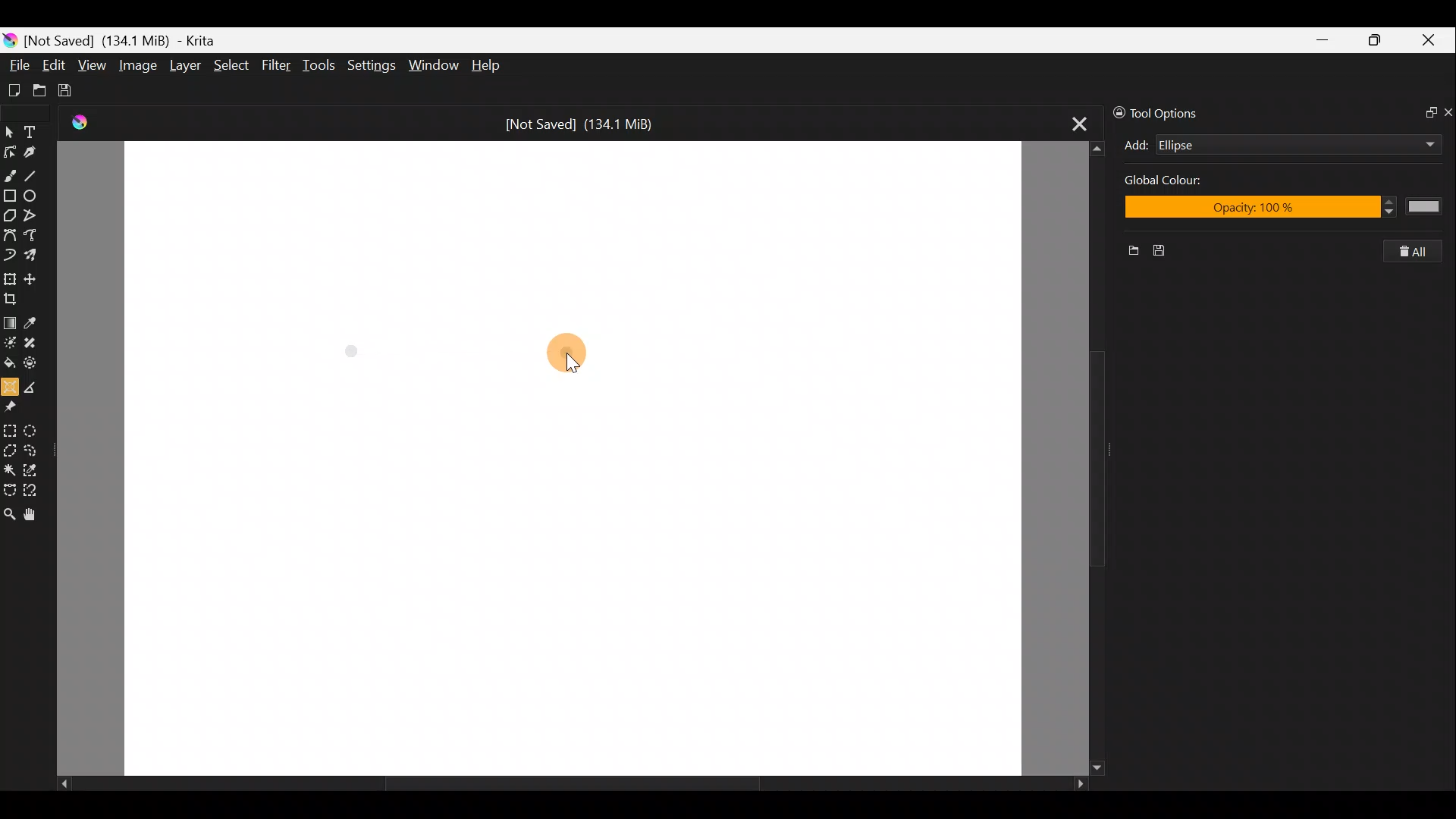 This screenshot has width=1456, height=819. What do you see at coordinates (1071, 124) in the screenshot?
I see `Close tab` at bounding box center [1071, 124].